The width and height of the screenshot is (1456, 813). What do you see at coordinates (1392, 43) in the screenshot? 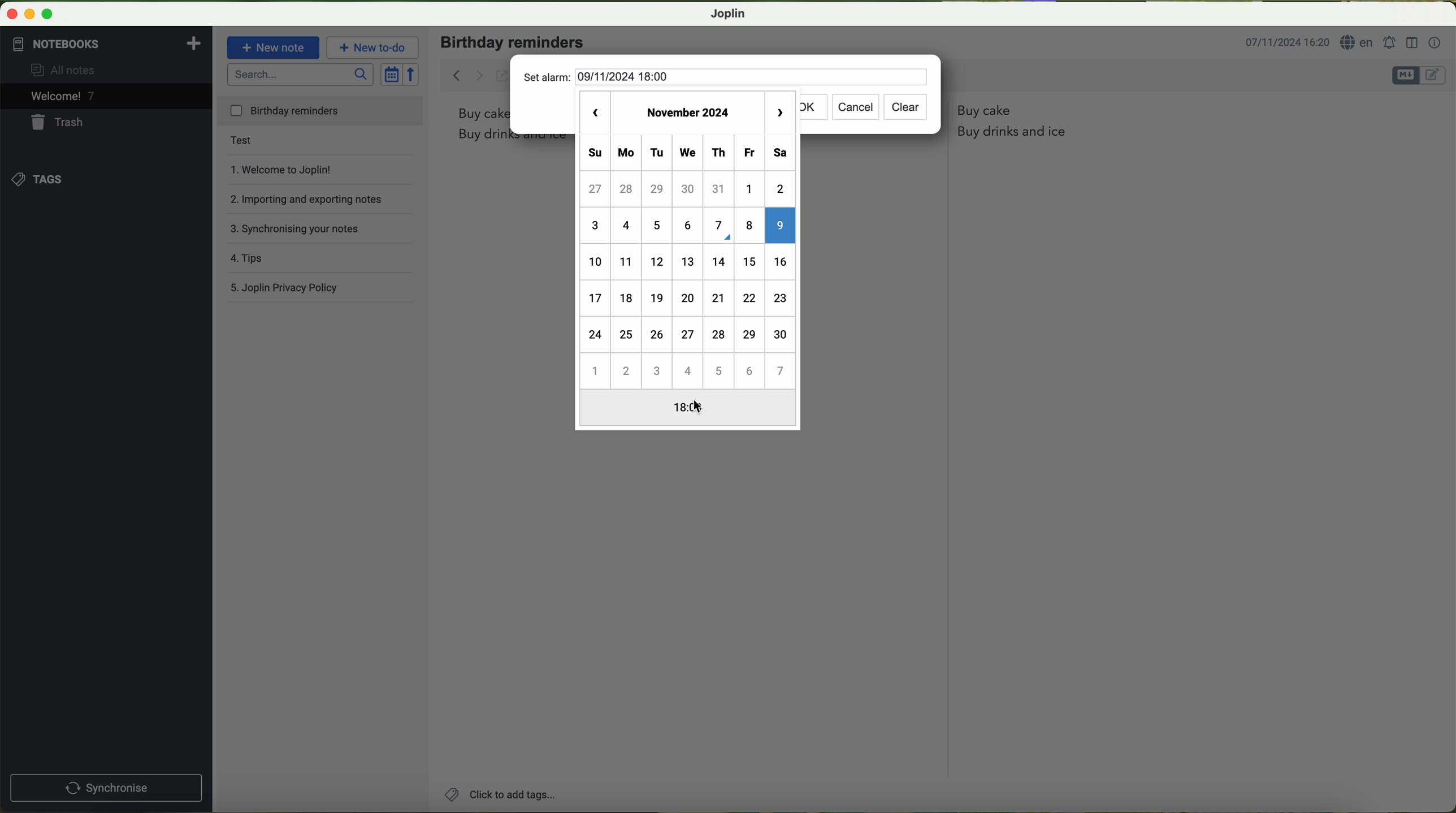
I see `set alarm` at bounding box center [1392, 43].